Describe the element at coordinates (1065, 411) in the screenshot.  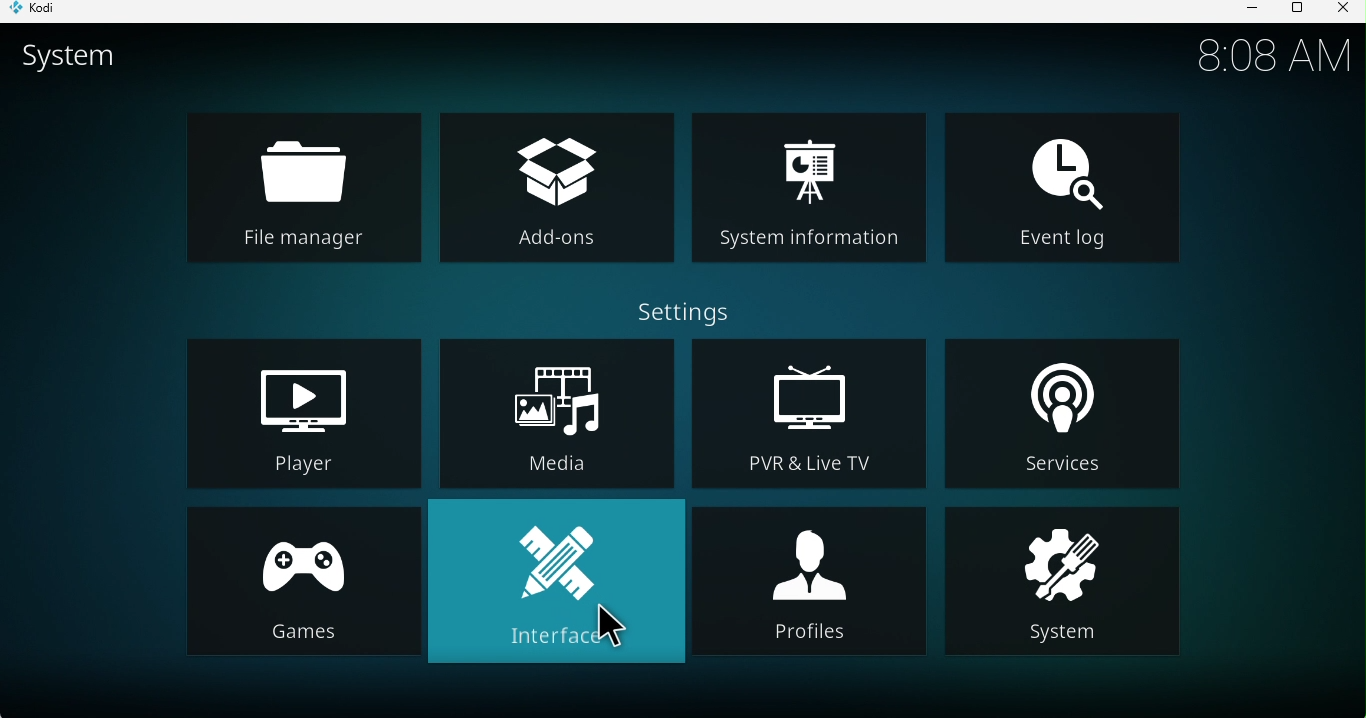
I see `Services` at that location.